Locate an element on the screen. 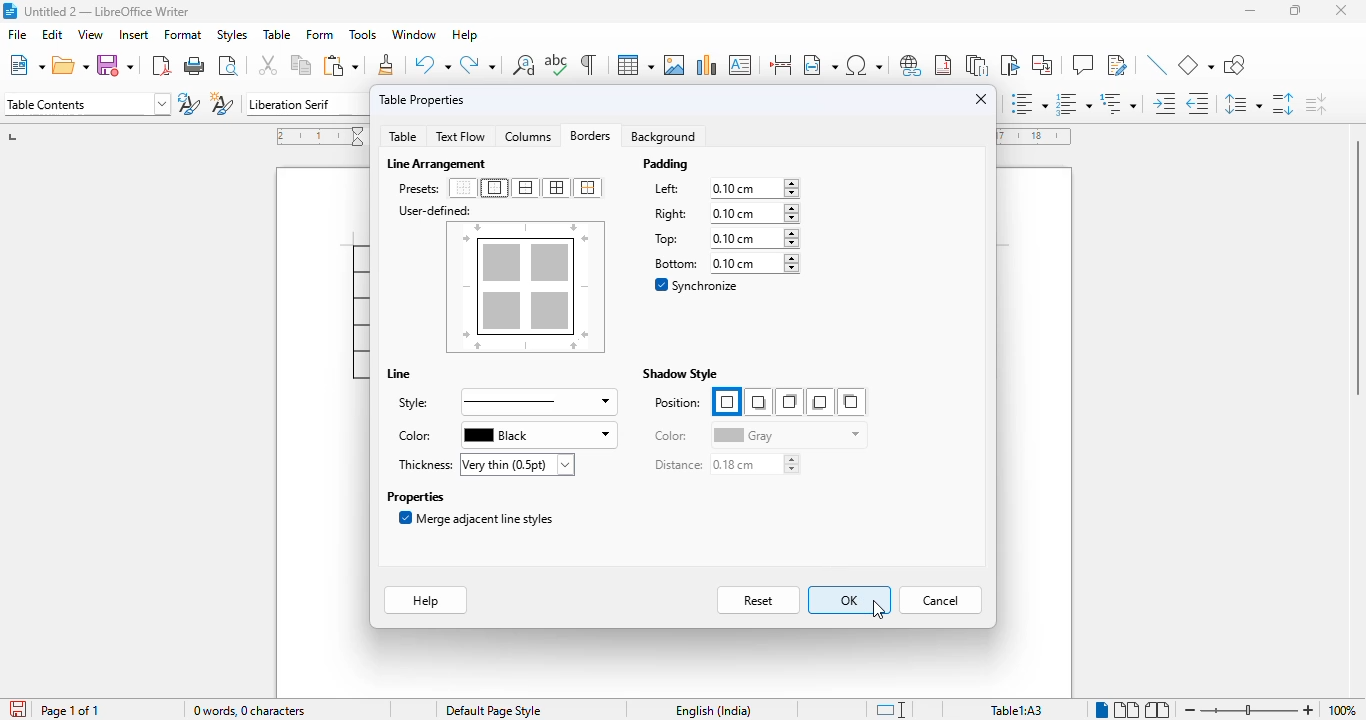 This screenshot has height=720, width=1366. OK is located at coordinates (849, 600).